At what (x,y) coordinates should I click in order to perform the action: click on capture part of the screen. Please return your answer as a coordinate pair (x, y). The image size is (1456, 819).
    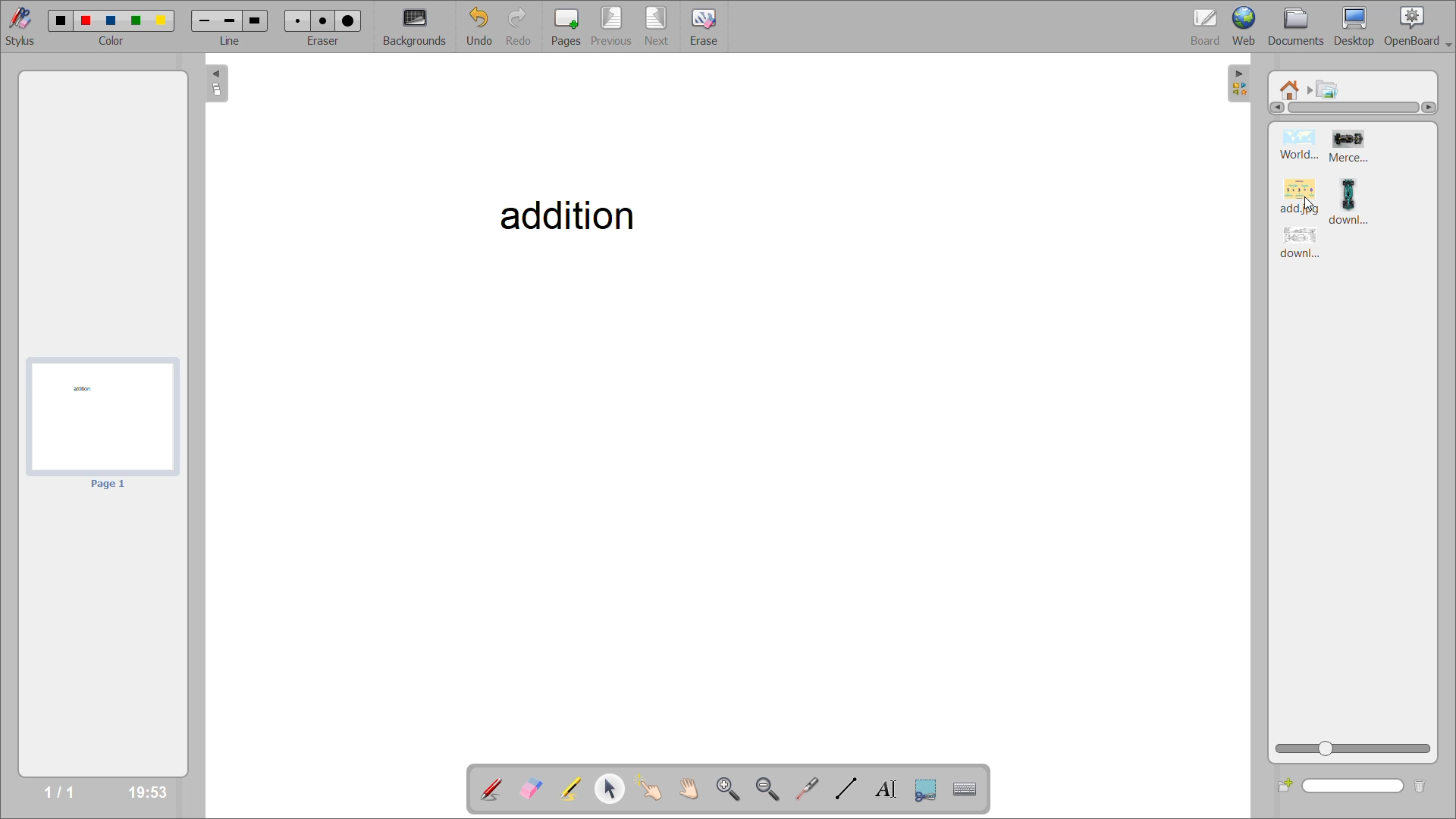
    Looking at the image, I should click on (927, 790).